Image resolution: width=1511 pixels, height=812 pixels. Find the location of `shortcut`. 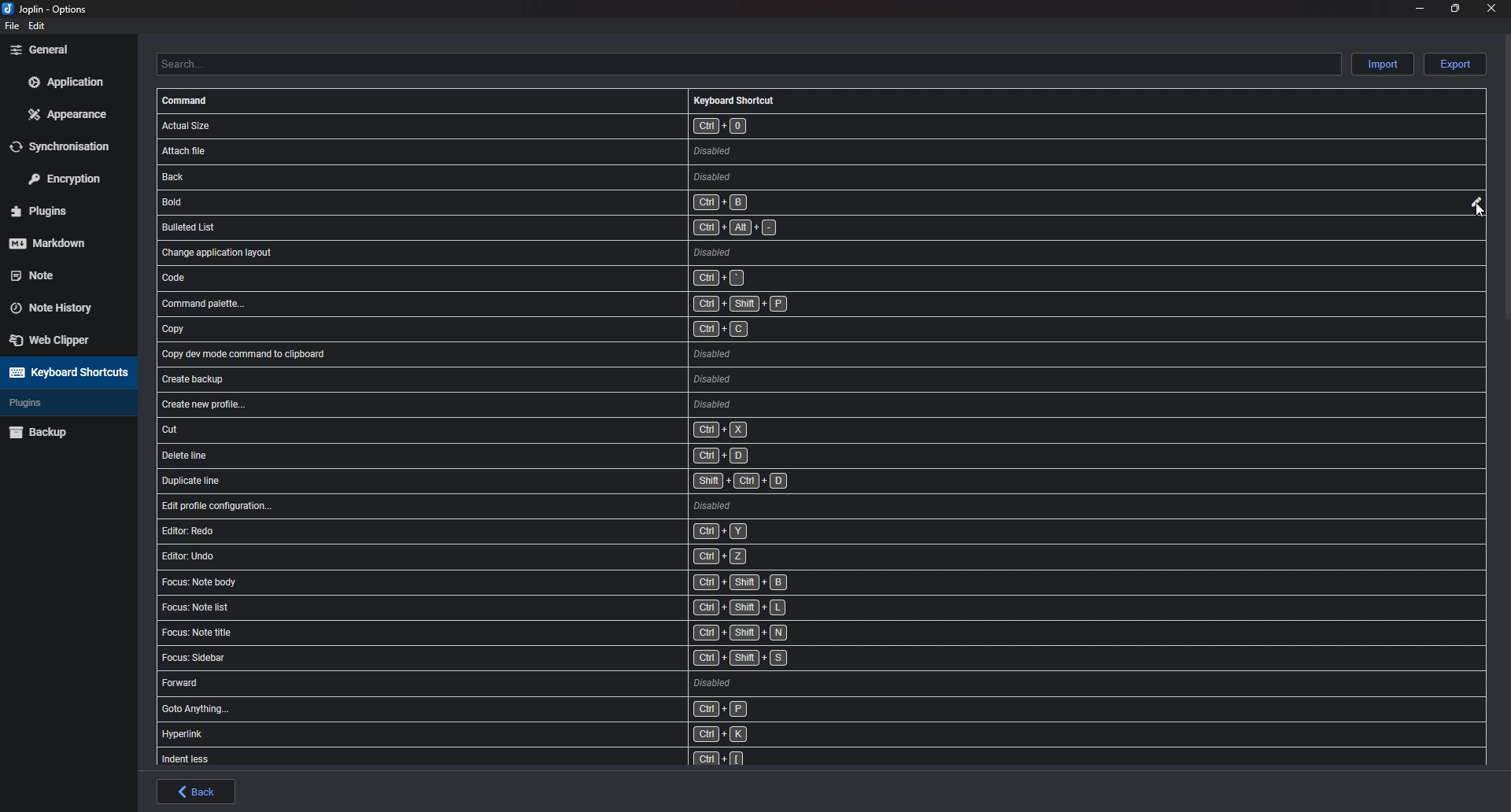

shortcut is located at coordinates (537, 403).